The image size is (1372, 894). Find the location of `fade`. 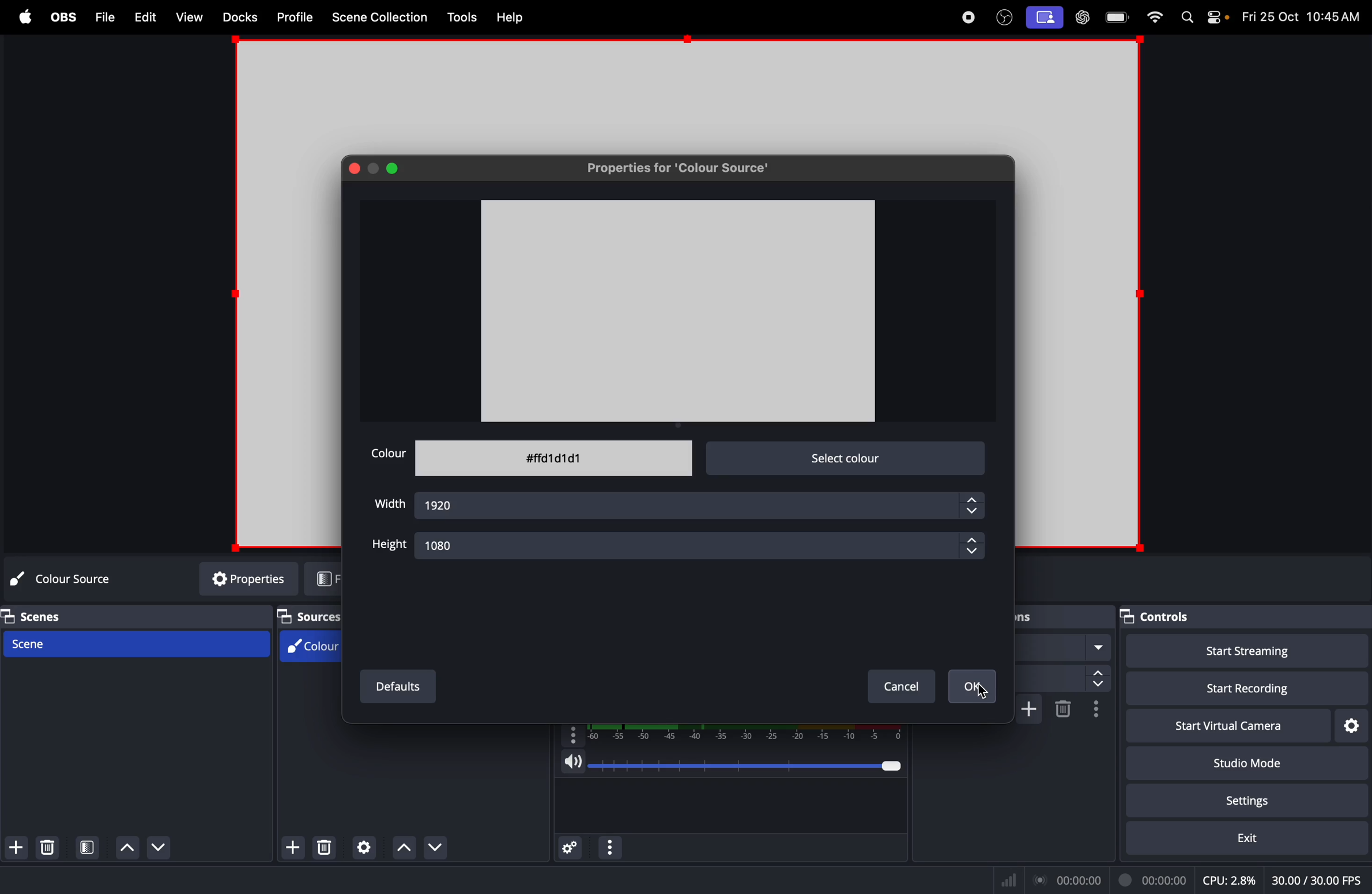

fade is located at coordinates (1065, 646).